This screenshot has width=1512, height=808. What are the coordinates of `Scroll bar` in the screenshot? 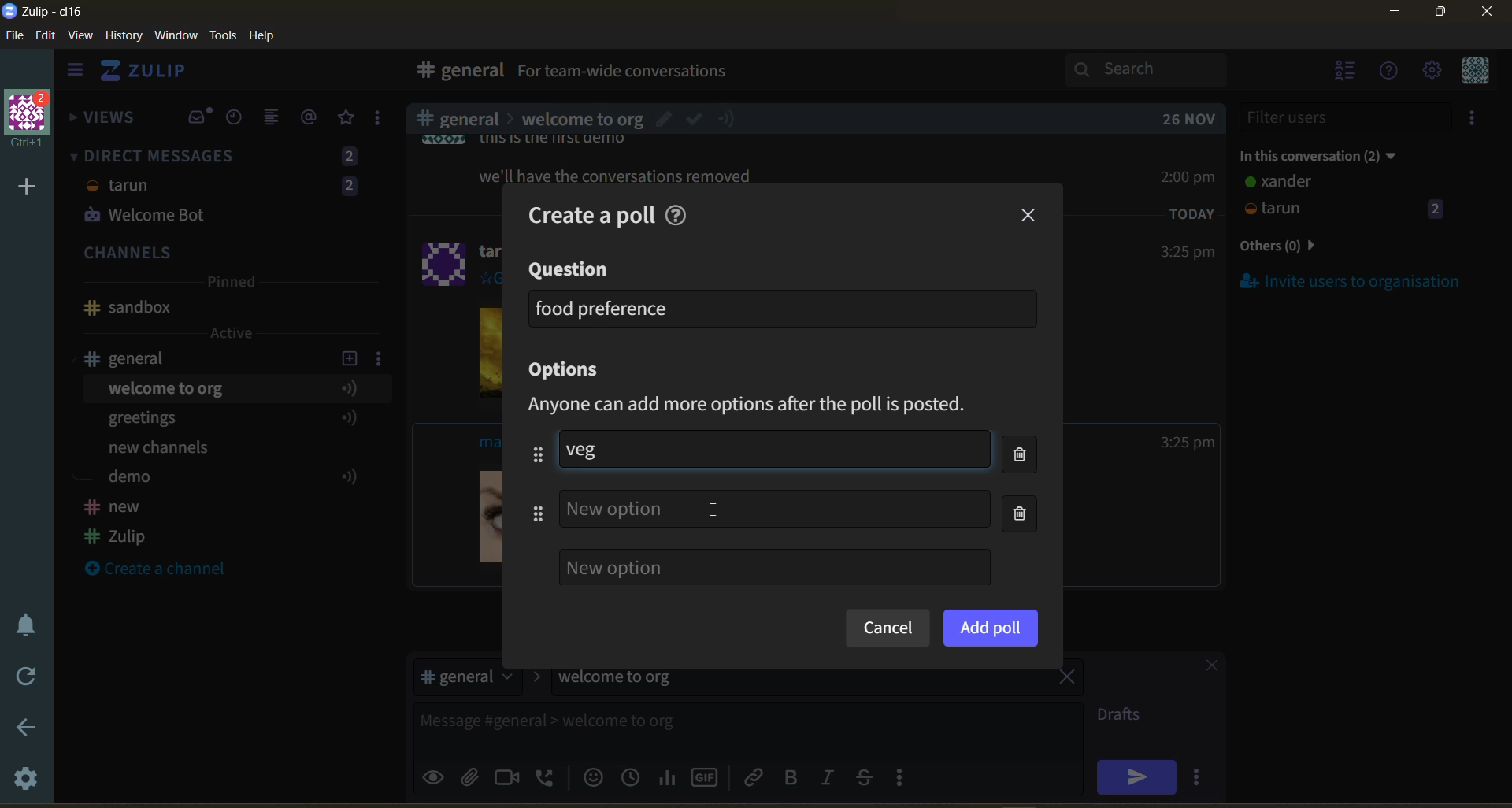 It's located at (1503, 421).